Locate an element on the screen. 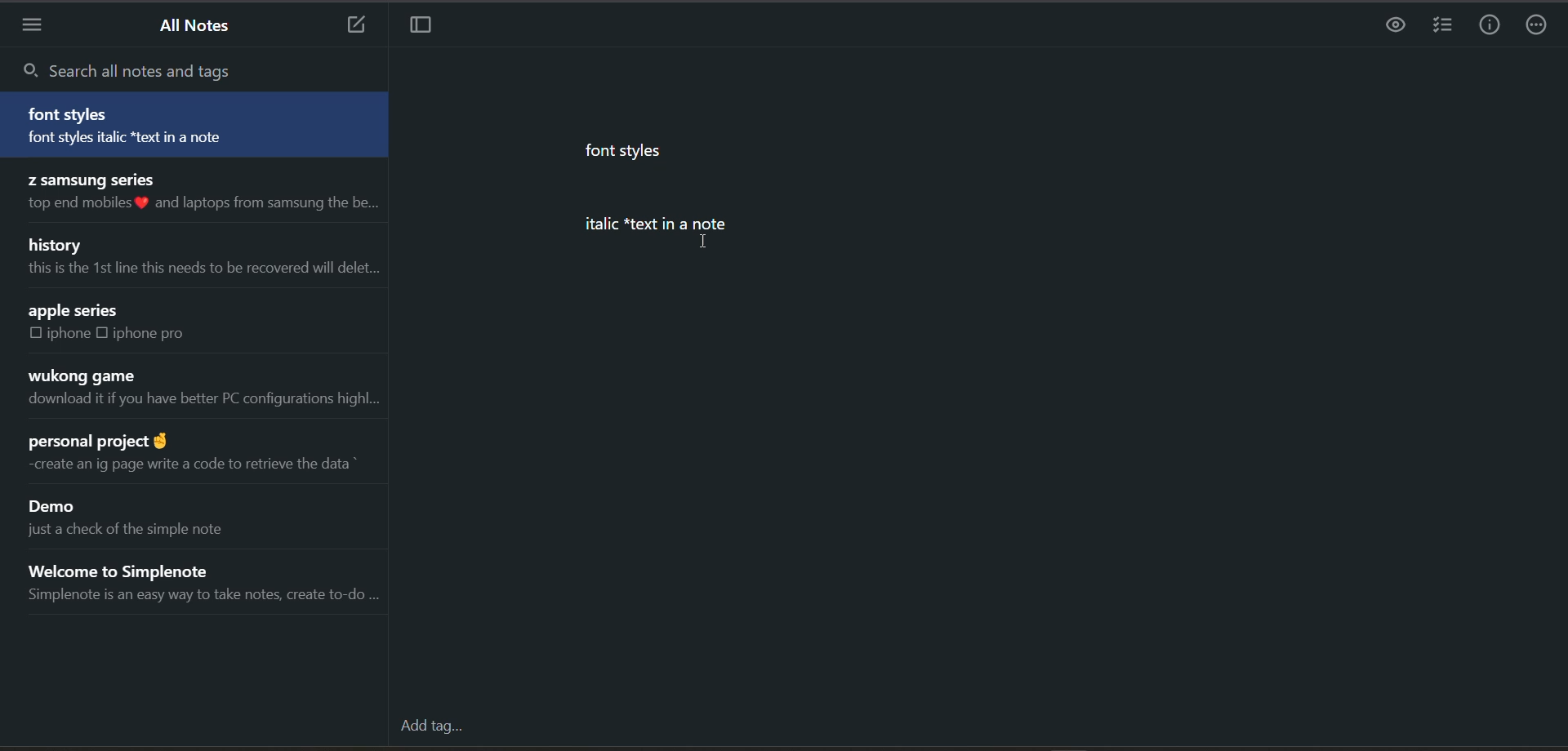 Image resolution: width=1568 pixels, height=751 pixels. note title and preview is located at coordinates (201, 195).